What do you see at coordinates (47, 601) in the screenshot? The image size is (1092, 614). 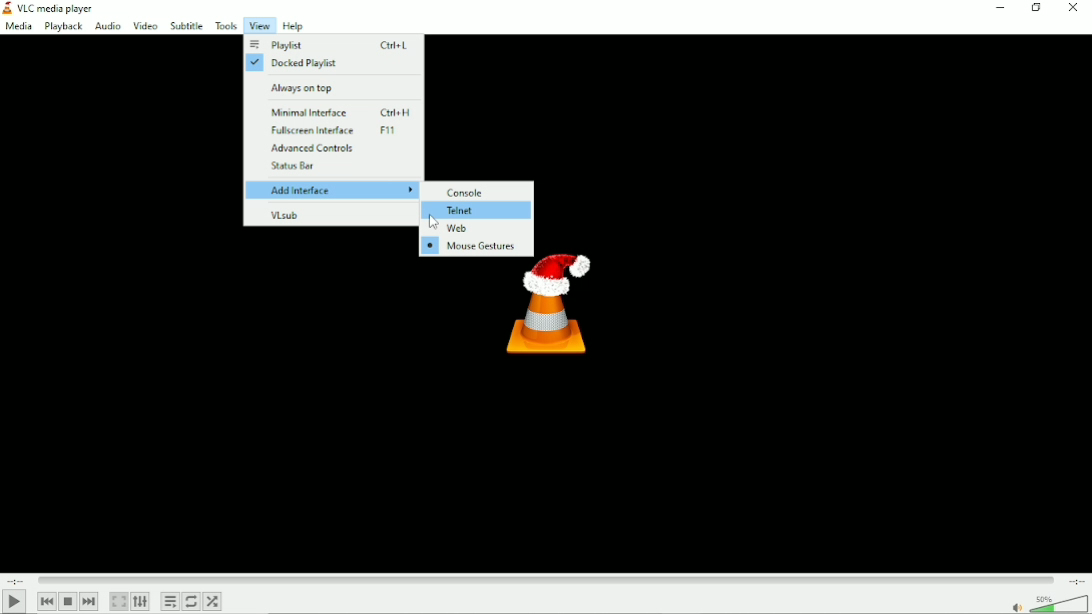 I see `Previous` at bounding box center [47, 601].